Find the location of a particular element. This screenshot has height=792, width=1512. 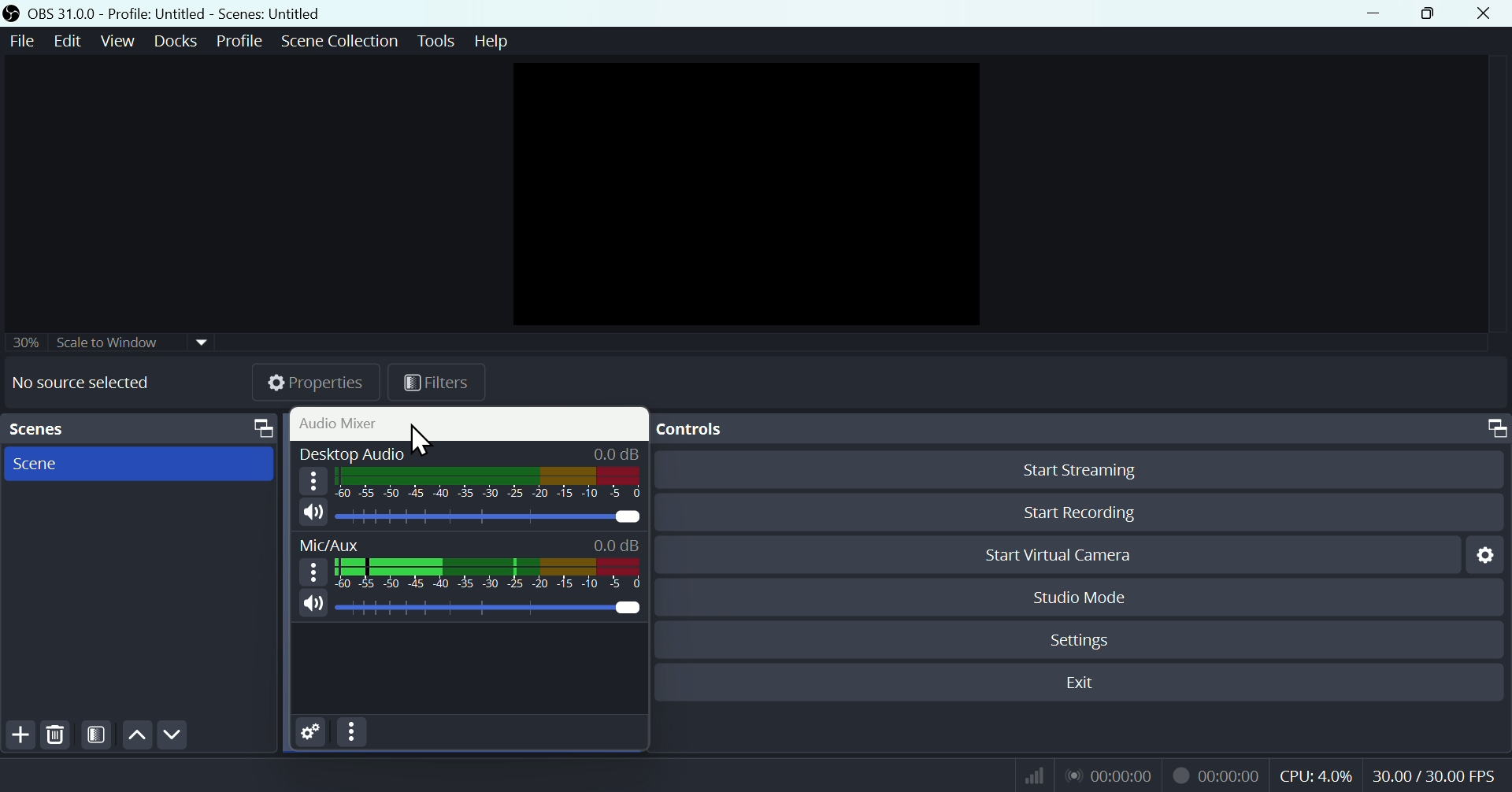

Close is located at coordinates (1484, 13).